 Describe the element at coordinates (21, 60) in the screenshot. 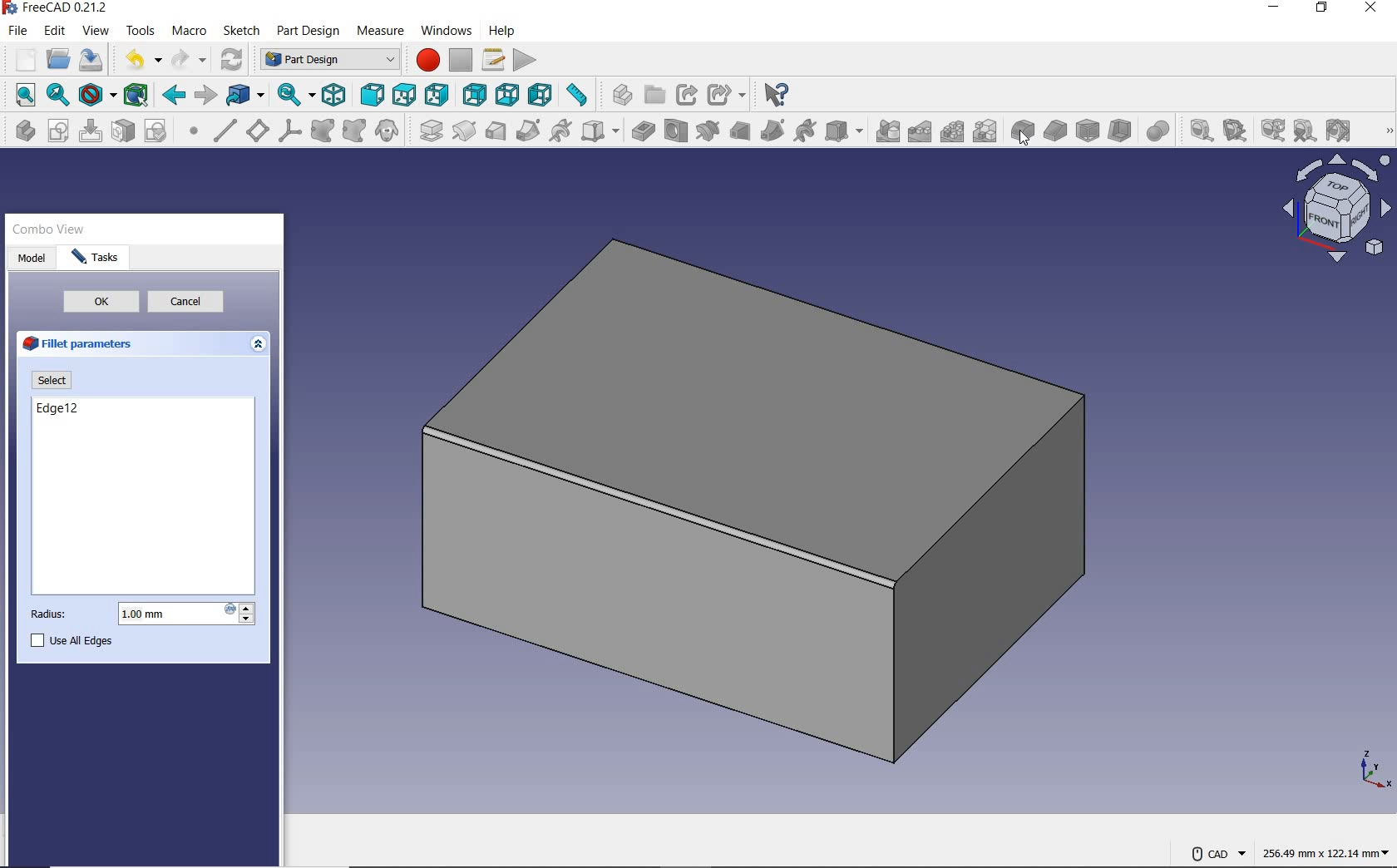

I see `new` at that location.